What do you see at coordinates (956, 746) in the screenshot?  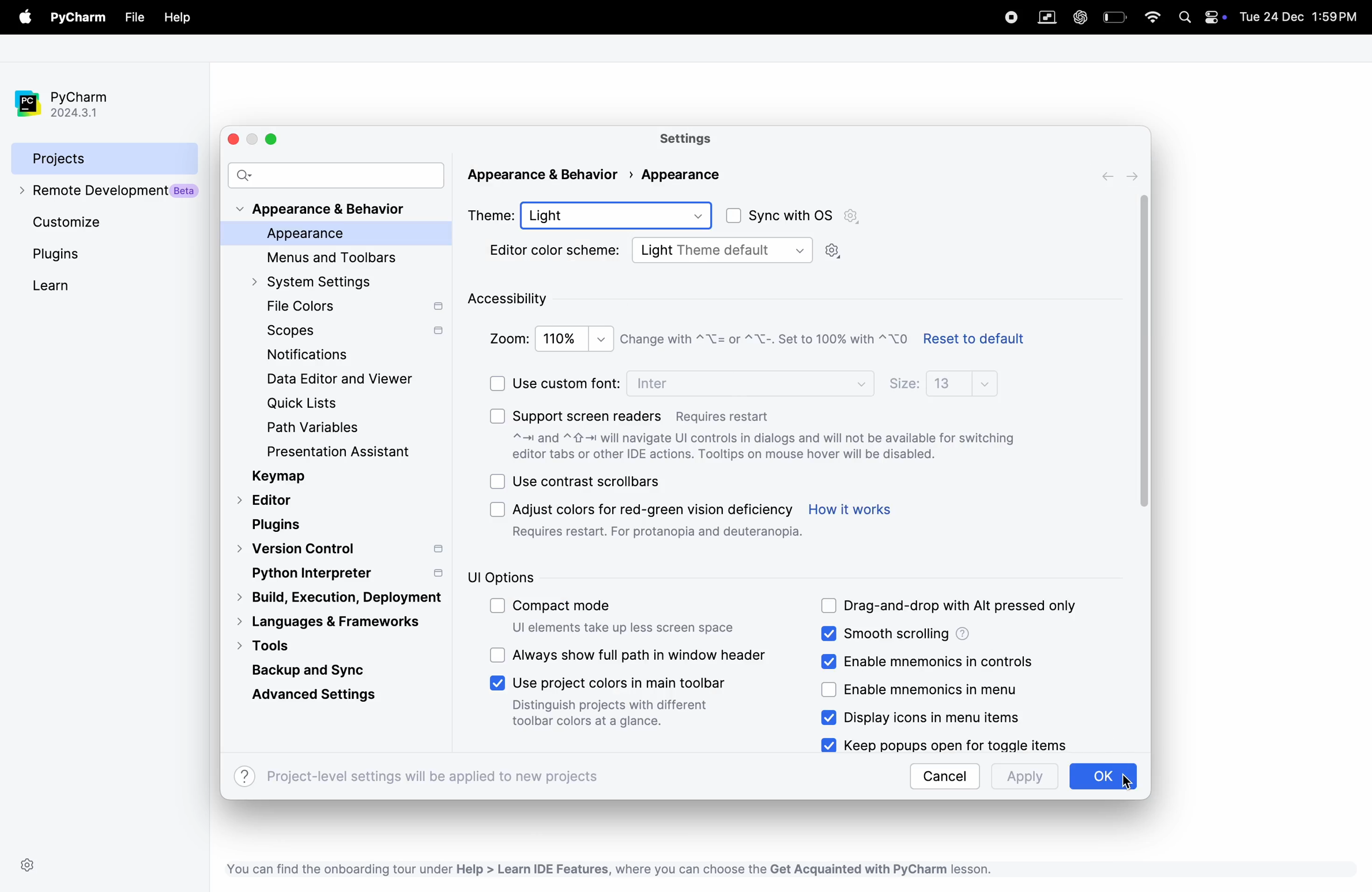 I see `keep popups for open for toggle` at bounding box center [956, 746].